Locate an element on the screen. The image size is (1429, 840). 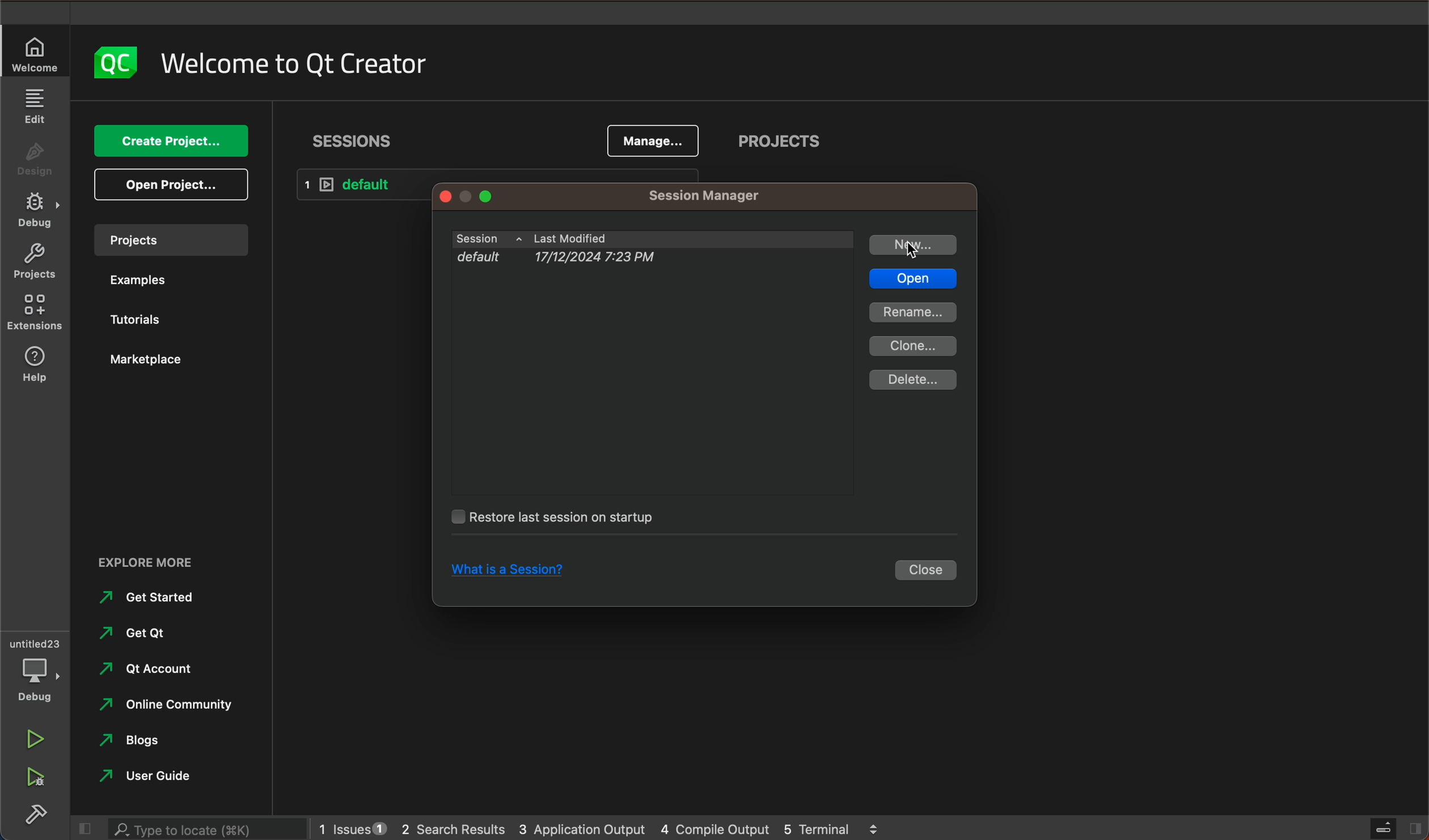
qt account is located at coordinates (164, 670).